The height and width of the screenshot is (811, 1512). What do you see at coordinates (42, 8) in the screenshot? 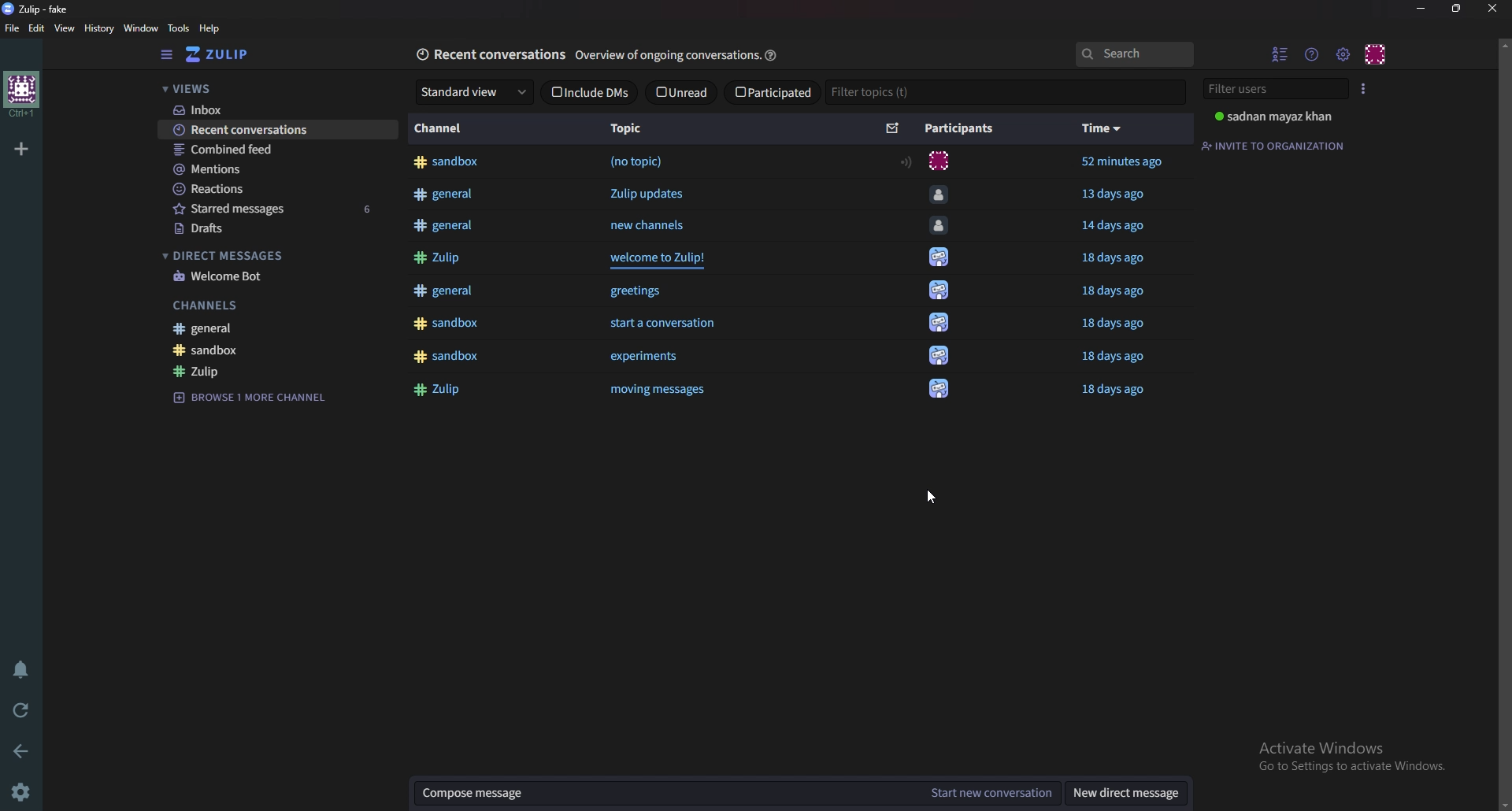
I see `zulip-fake` at bounding box center [42, 8].